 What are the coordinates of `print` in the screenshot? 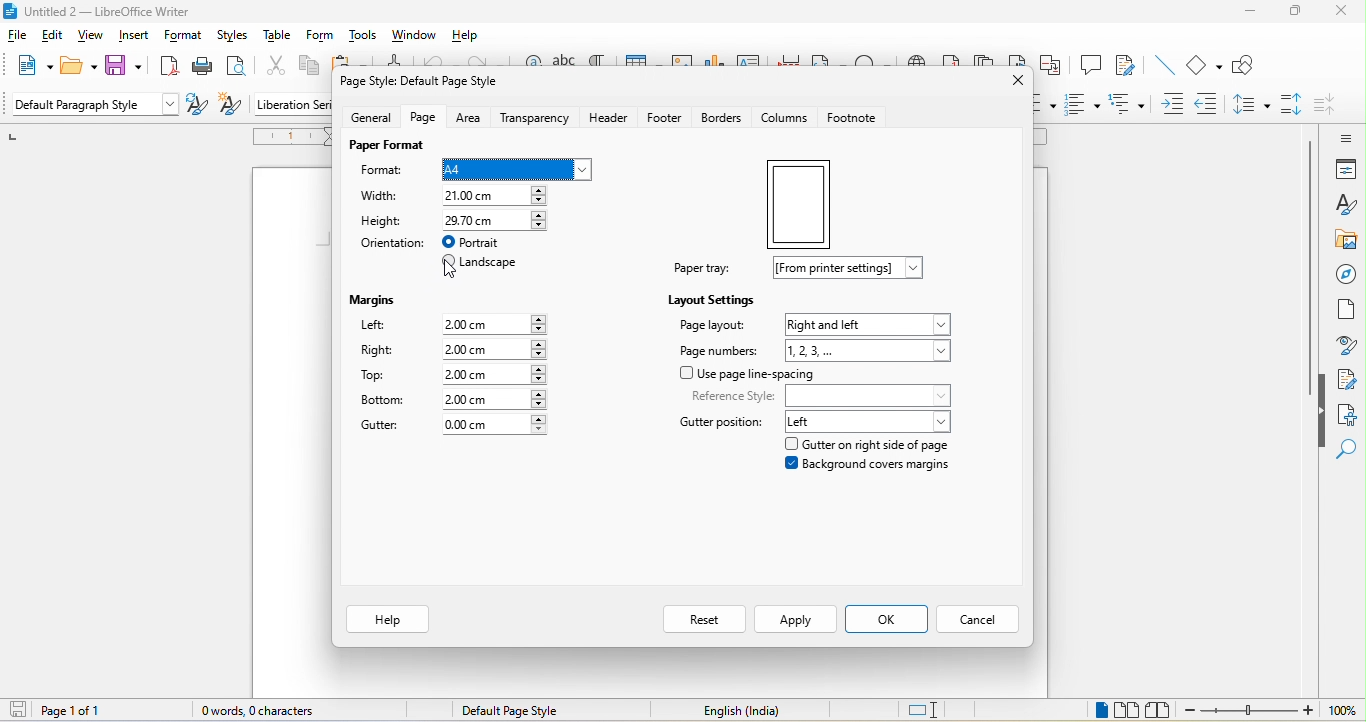 It's located at (205, 67).